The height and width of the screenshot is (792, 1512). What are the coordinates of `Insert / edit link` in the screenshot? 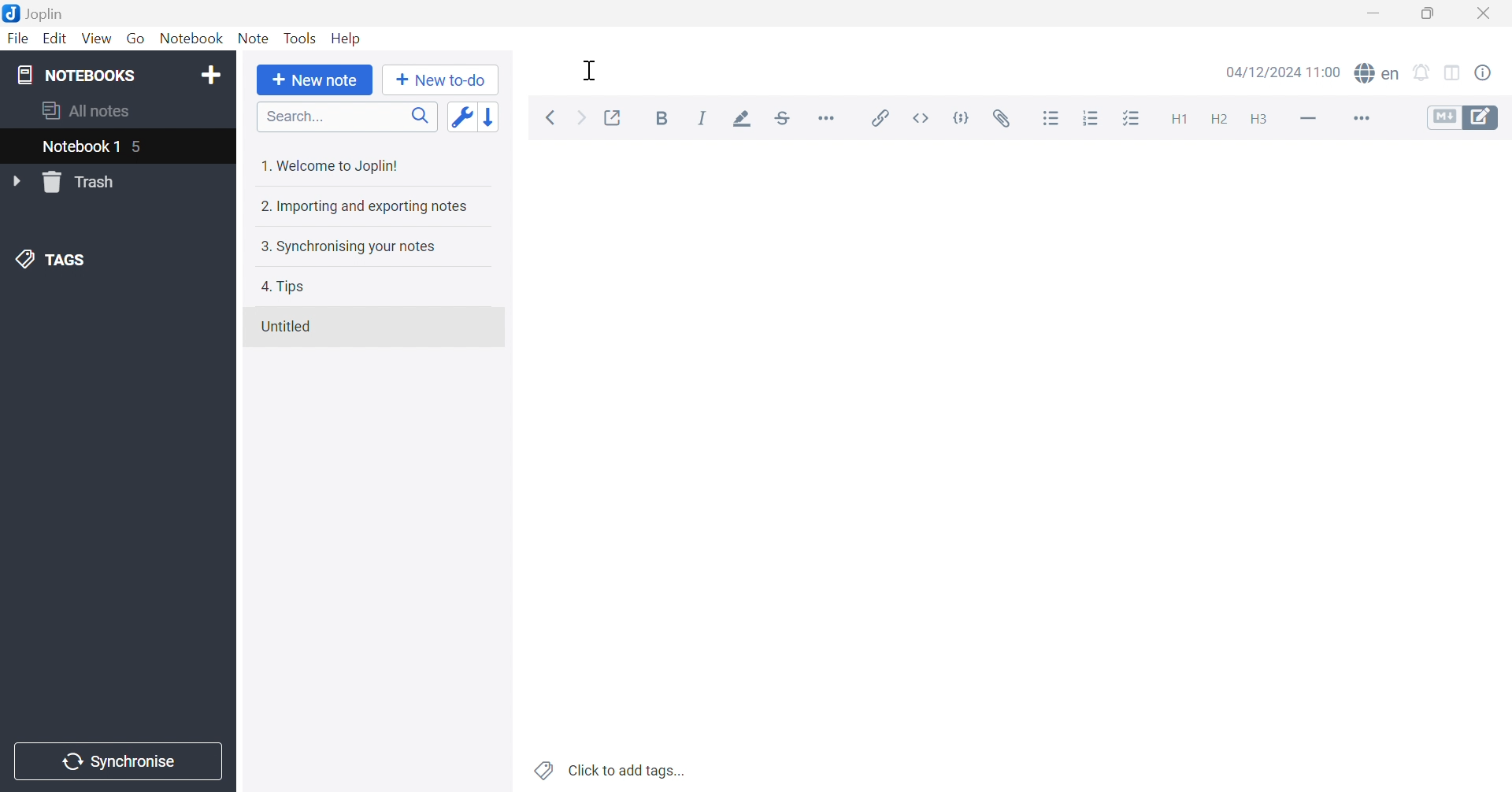 It's located at (881, 117).